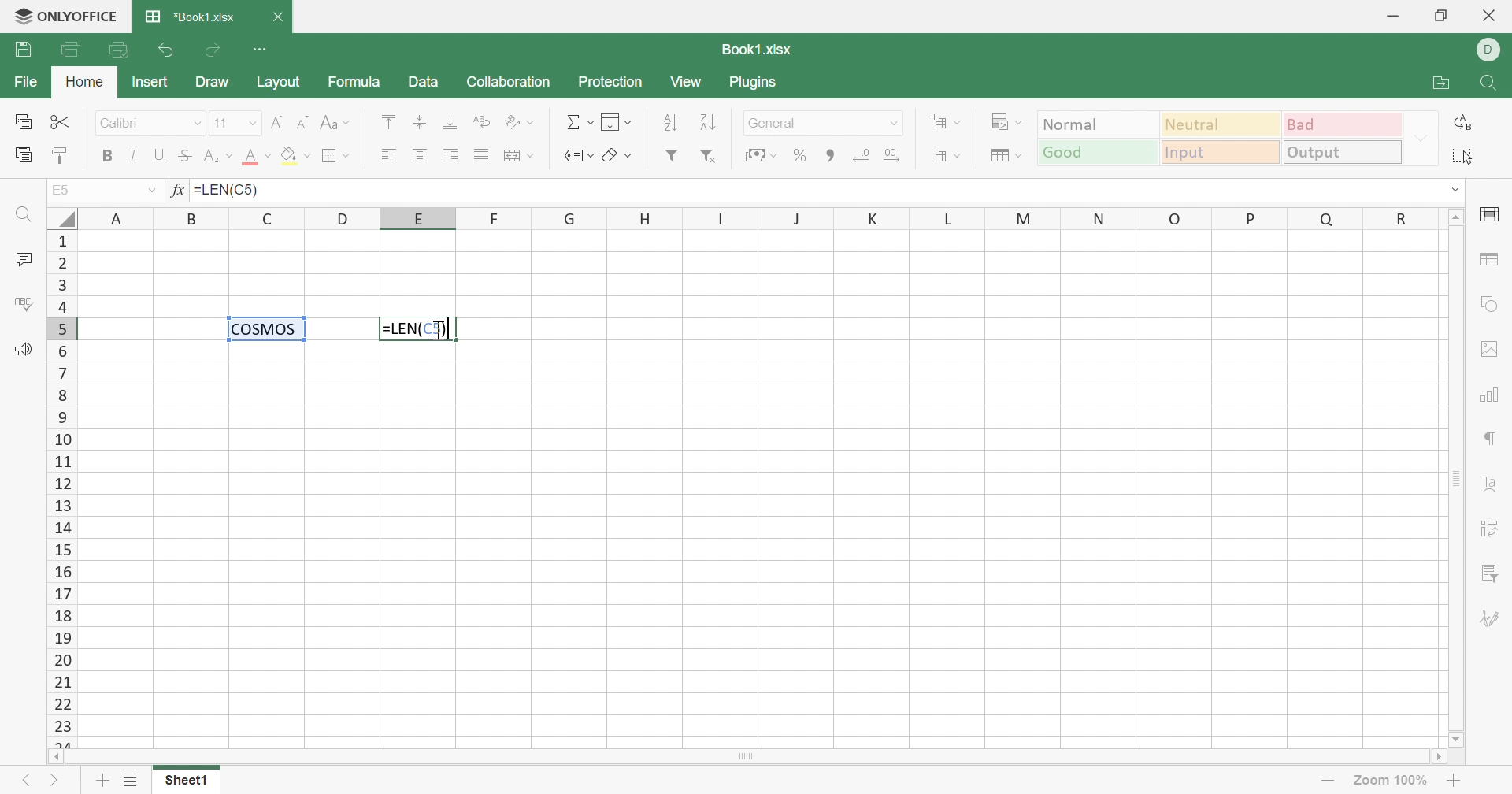 The width and height of the screenshot is (1512, 794). What do you see at coordinates (451, 158) in the screenshot?
I see `Align Right` at bounding box center [451, 158].